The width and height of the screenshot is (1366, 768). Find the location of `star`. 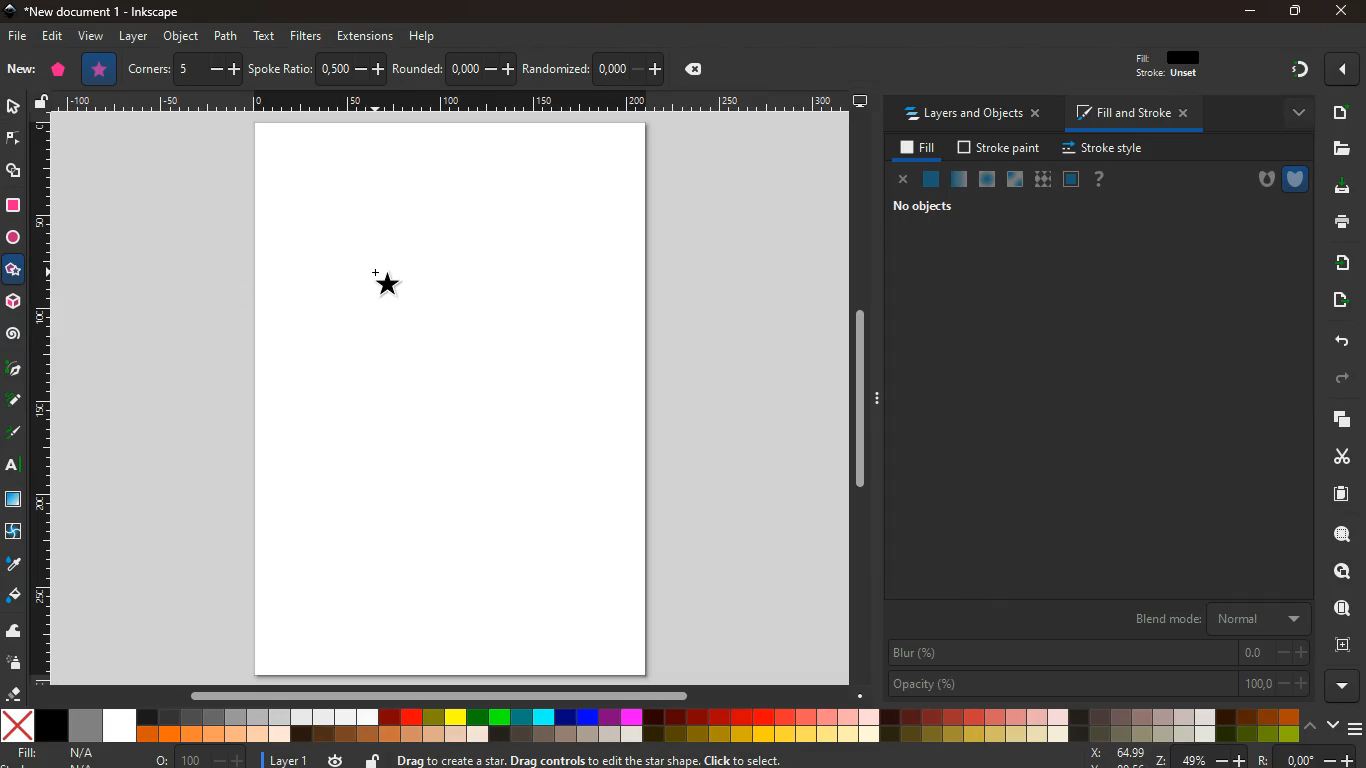

star is located at coordinates (100, 69).